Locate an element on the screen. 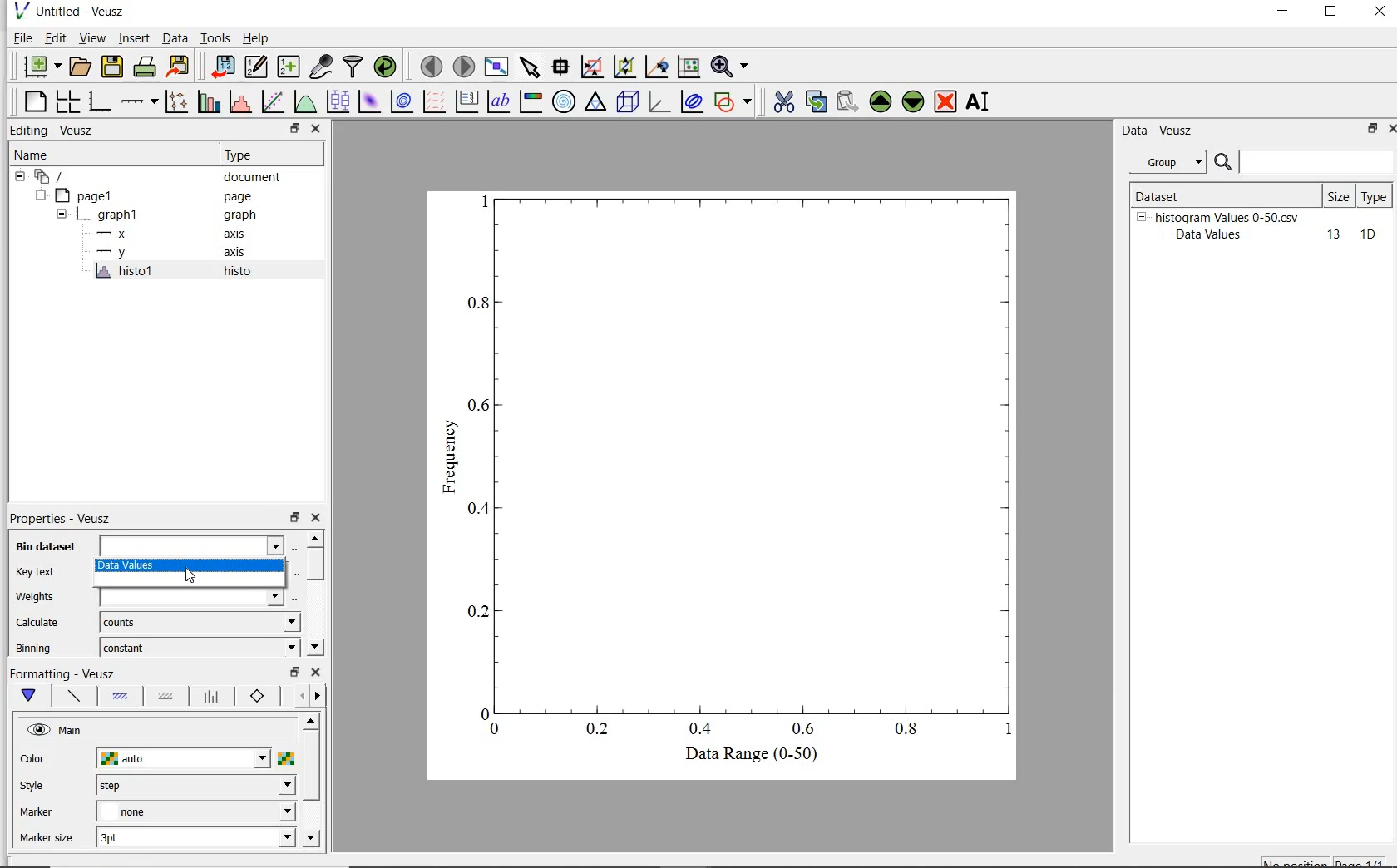  add shape is located at coordinates (733, 103).